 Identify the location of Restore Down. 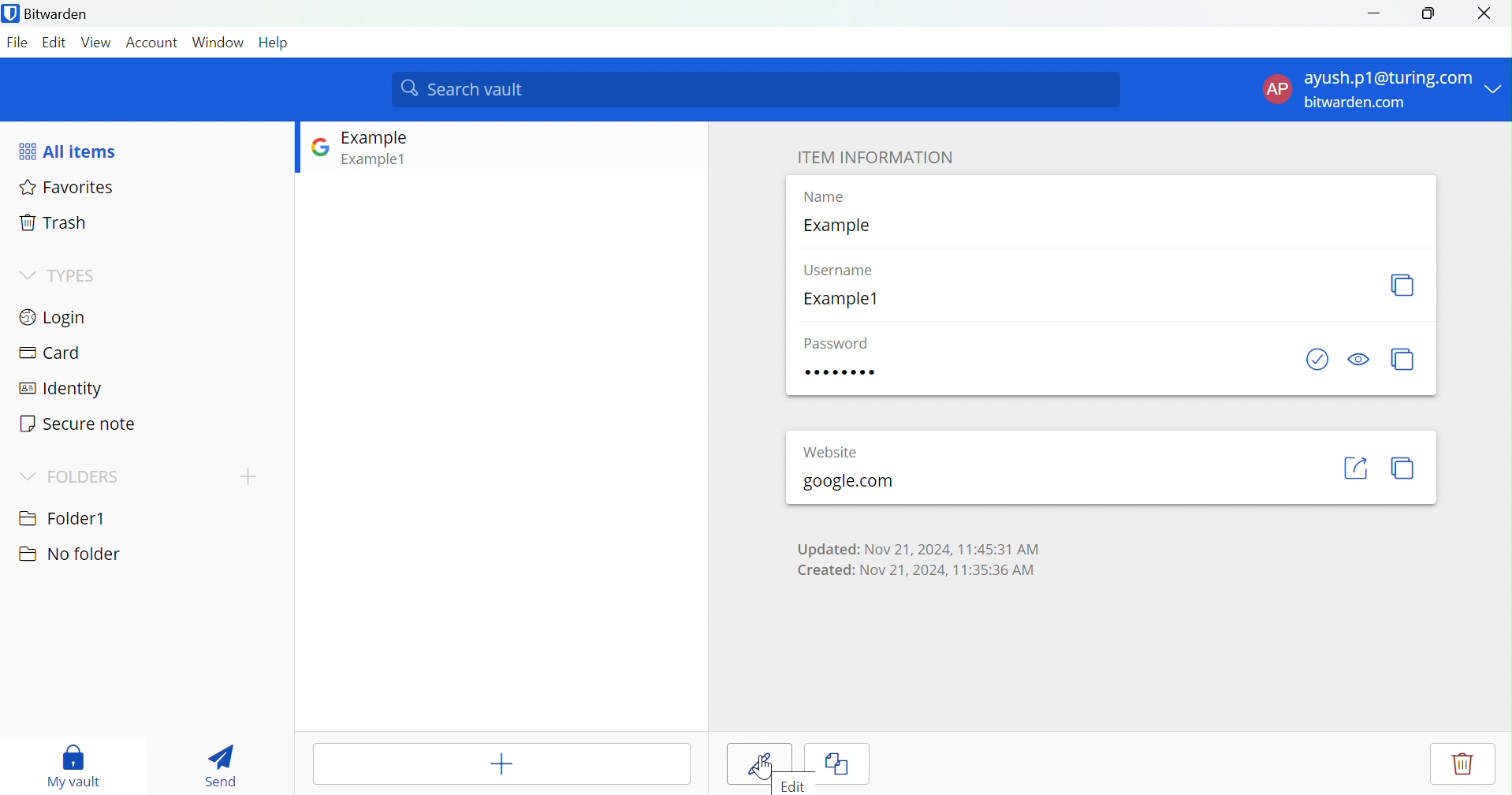
(1428, 13).